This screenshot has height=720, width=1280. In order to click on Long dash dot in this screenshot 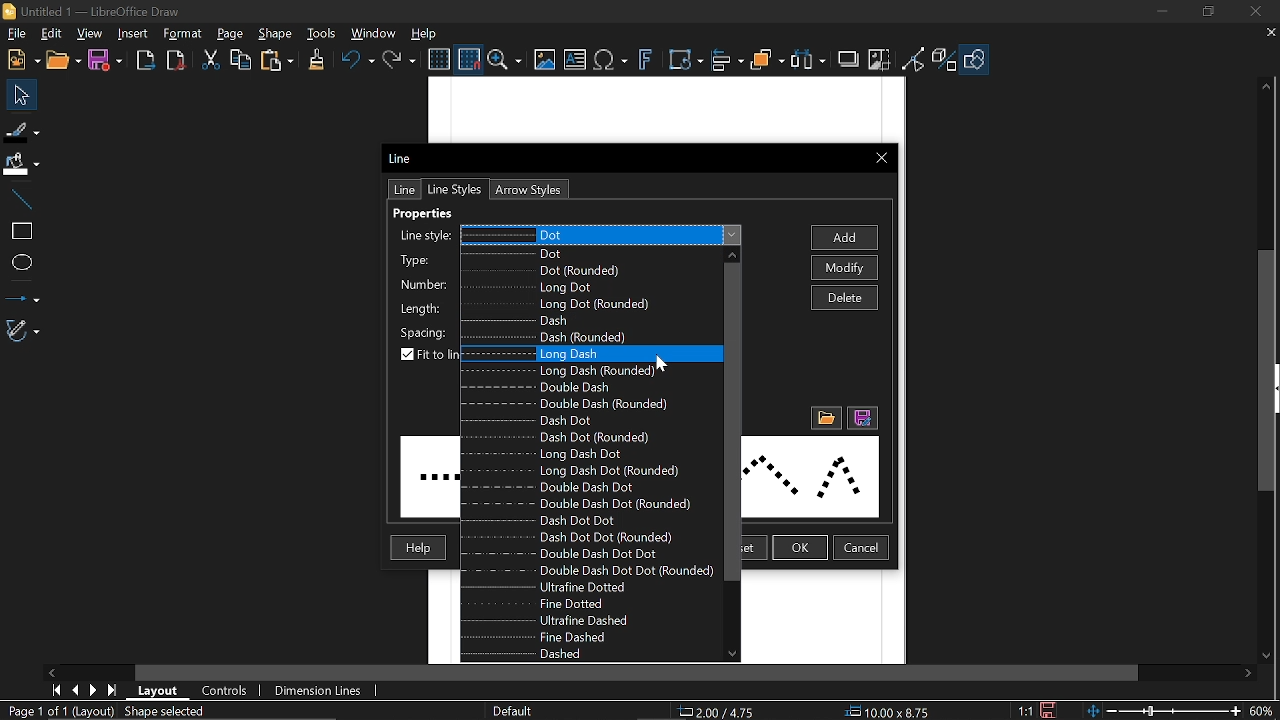, I will do `click(592, 455)`.